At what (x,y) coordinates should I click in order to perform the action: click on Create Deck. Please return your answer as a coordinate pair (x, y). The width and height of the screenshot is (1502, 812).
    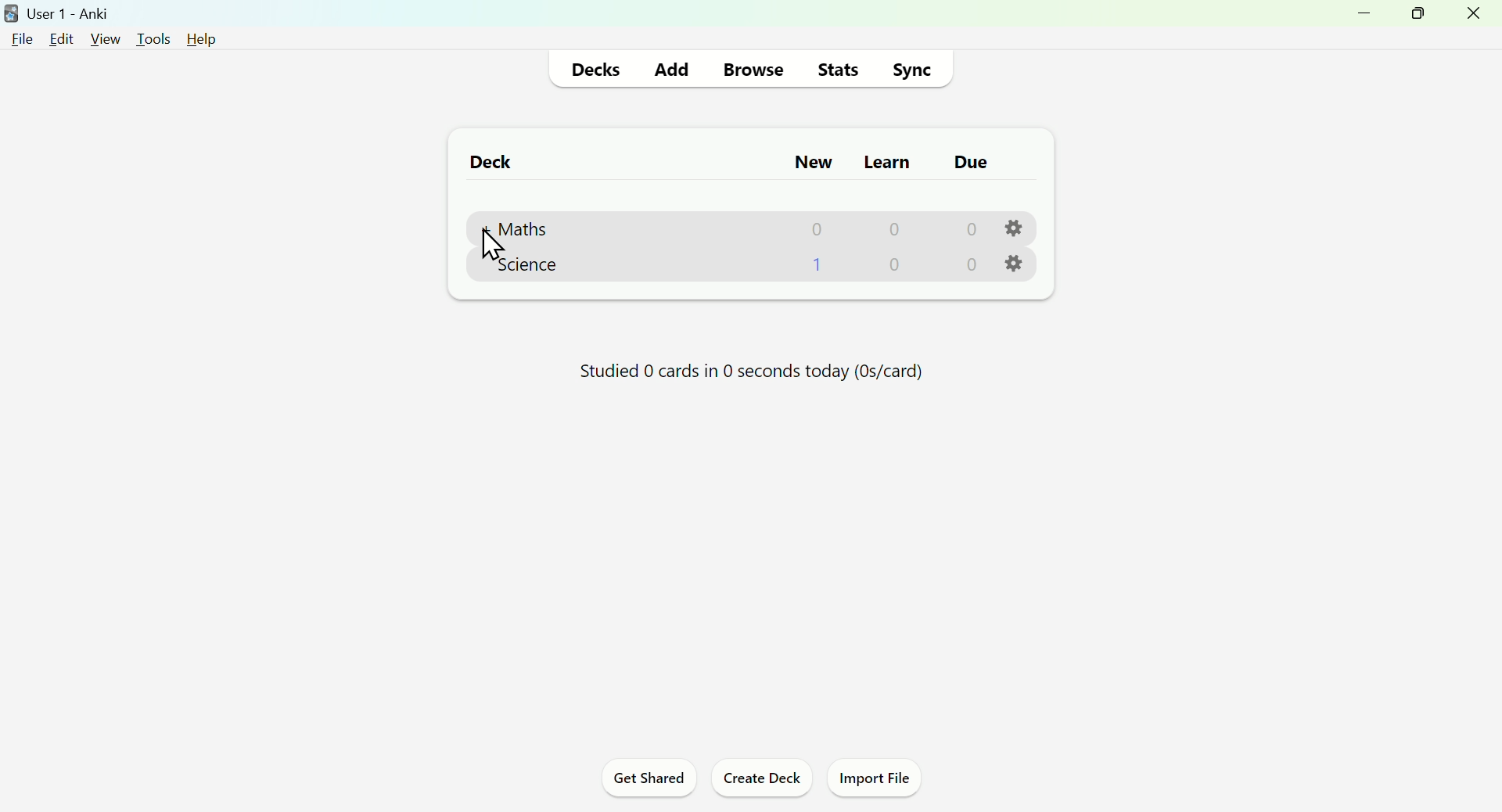
    Looking at the image, I should click on (761, 781).